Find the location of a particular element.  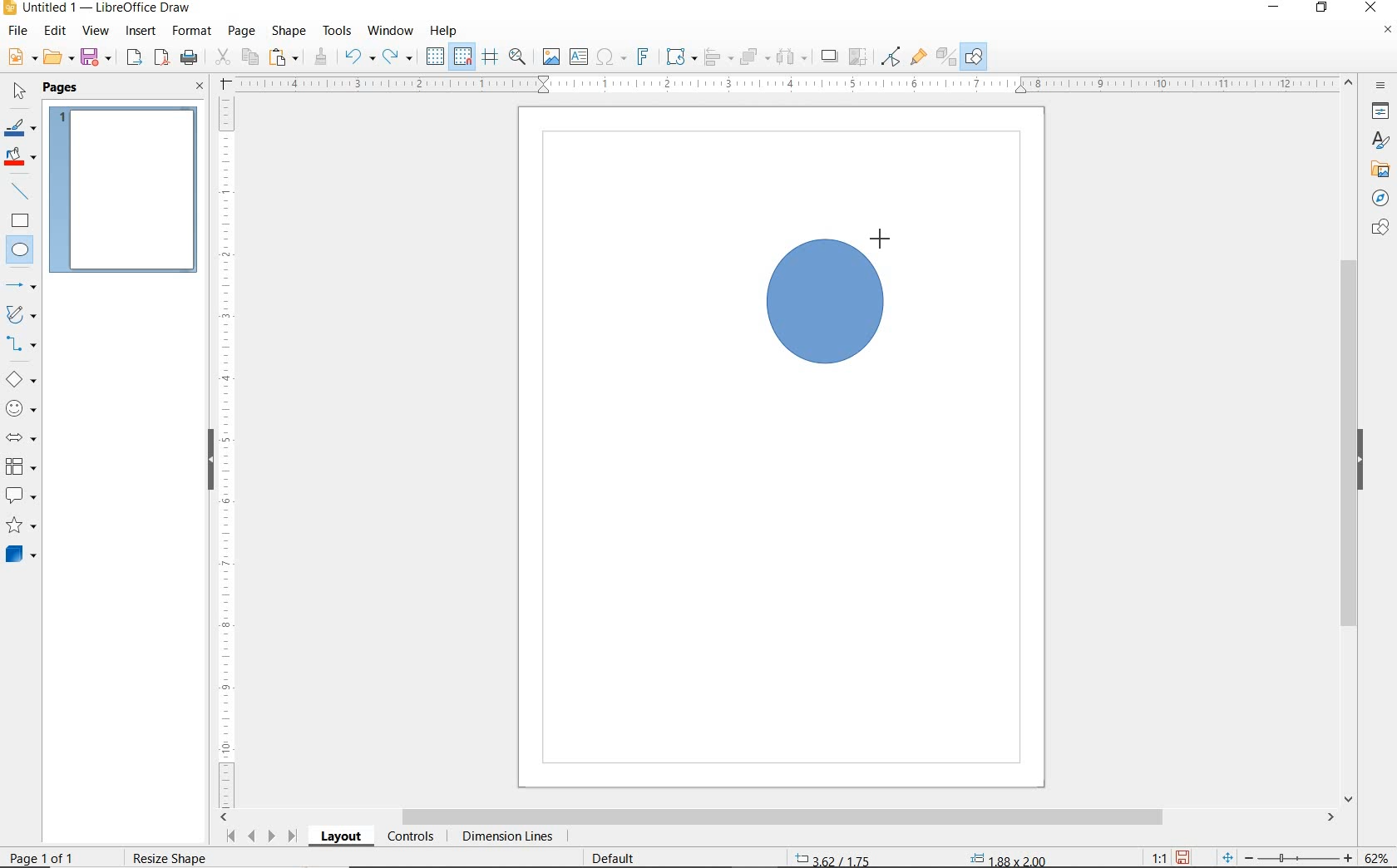

OPEN is located at coordinates (58, 59).